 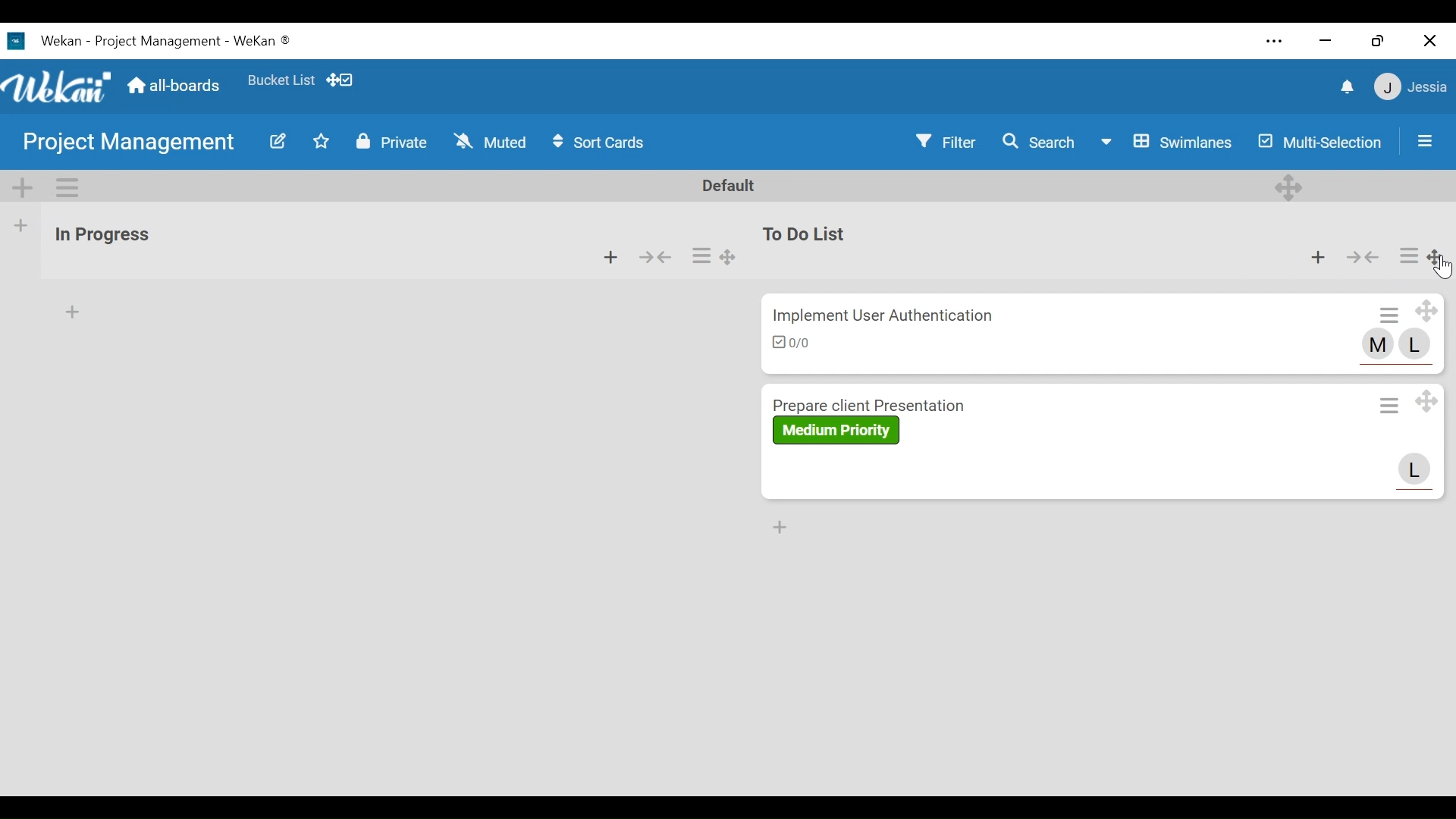 What do you see at coordinates (1039, 142) in the screenshot?
I see `Search` at bounding box center [1039, 142].